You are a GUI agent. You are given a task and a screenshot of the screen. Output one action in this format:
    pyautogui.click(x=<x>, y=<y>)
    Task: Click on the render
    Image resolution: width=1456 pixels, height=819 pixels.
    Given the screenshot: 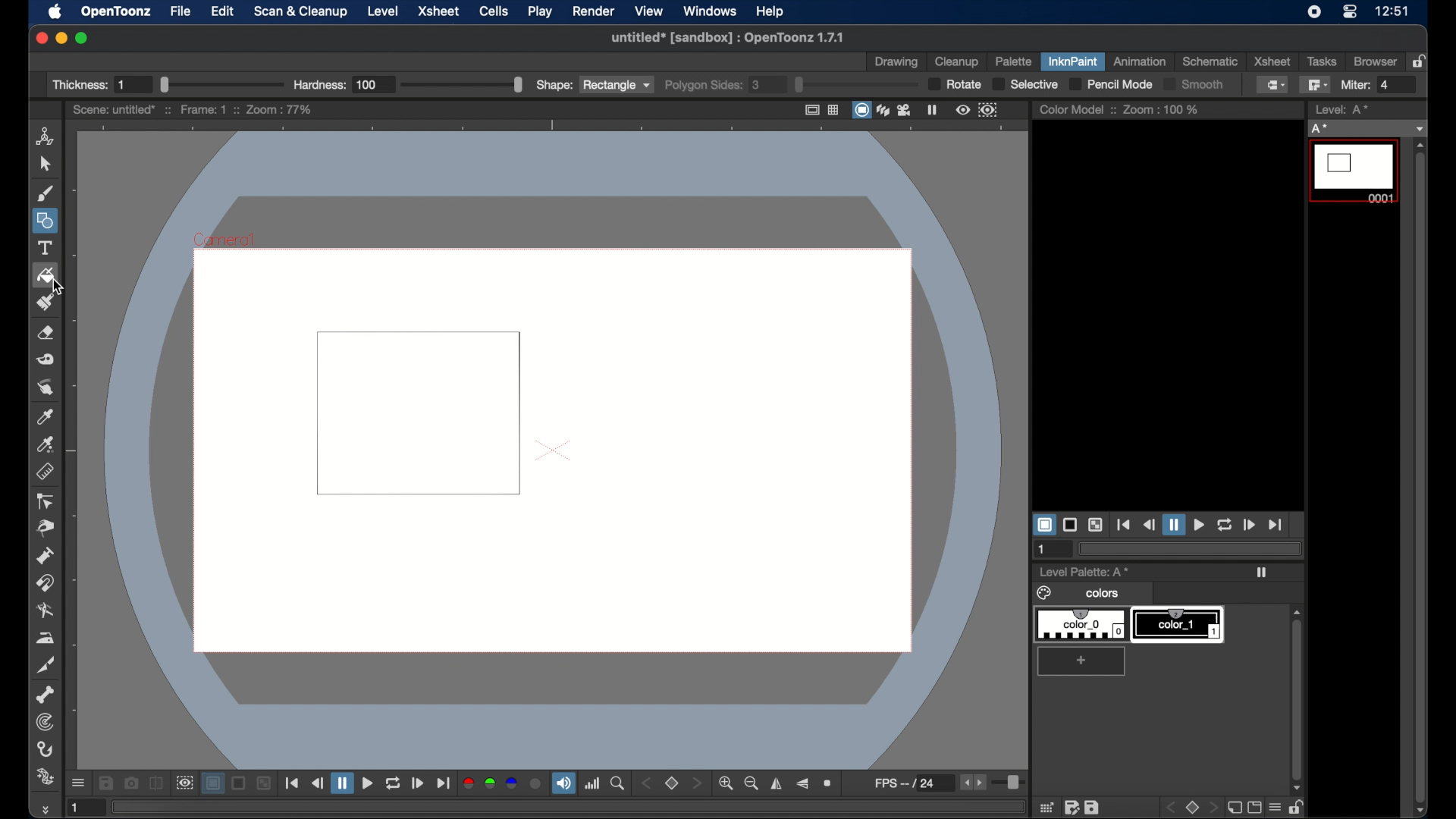 What is the action you would take?
    pyautogui.click(x=593, y=11)
    